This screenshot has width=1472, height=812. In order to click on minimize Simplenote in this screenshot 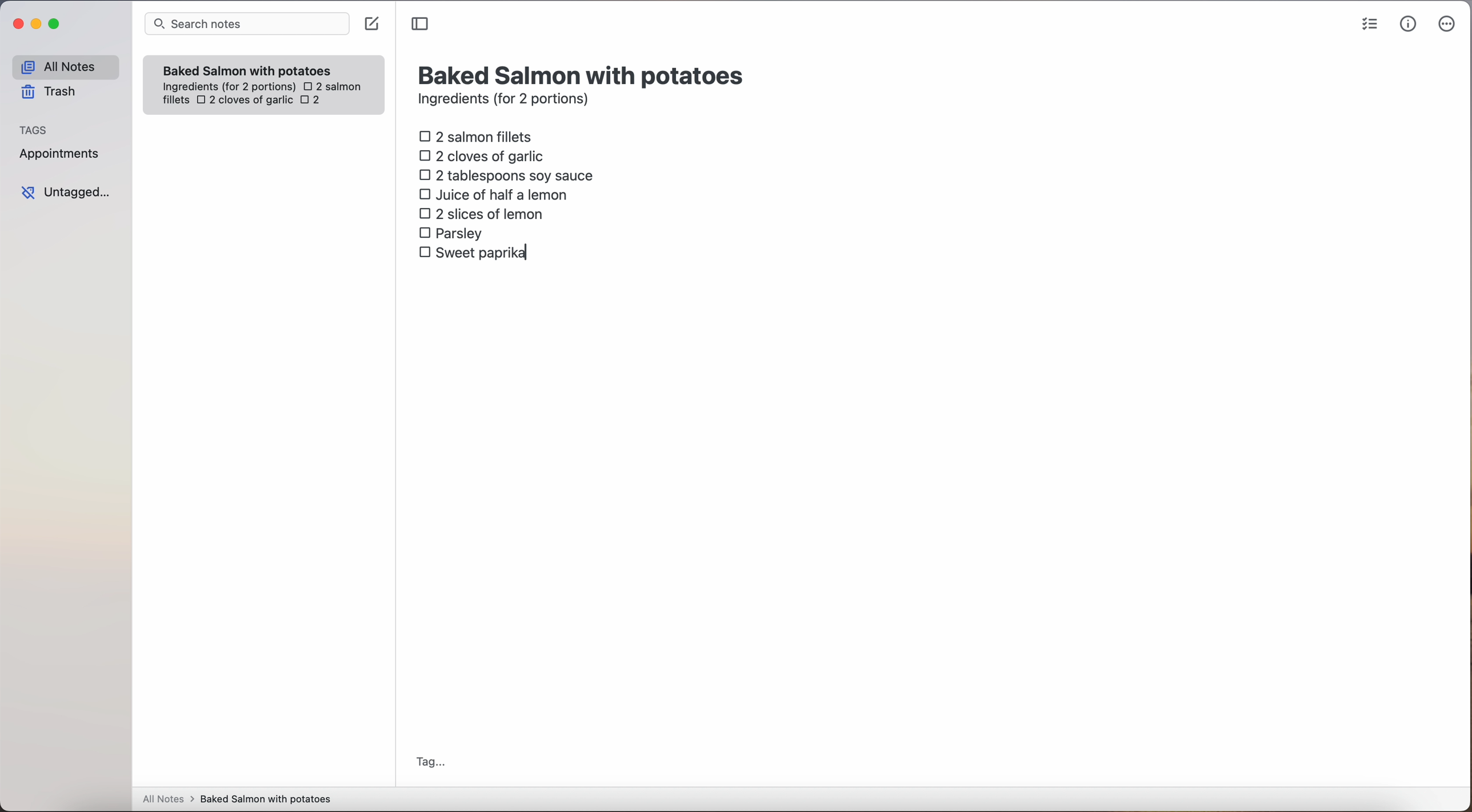, I will do `click(36, 25)`.